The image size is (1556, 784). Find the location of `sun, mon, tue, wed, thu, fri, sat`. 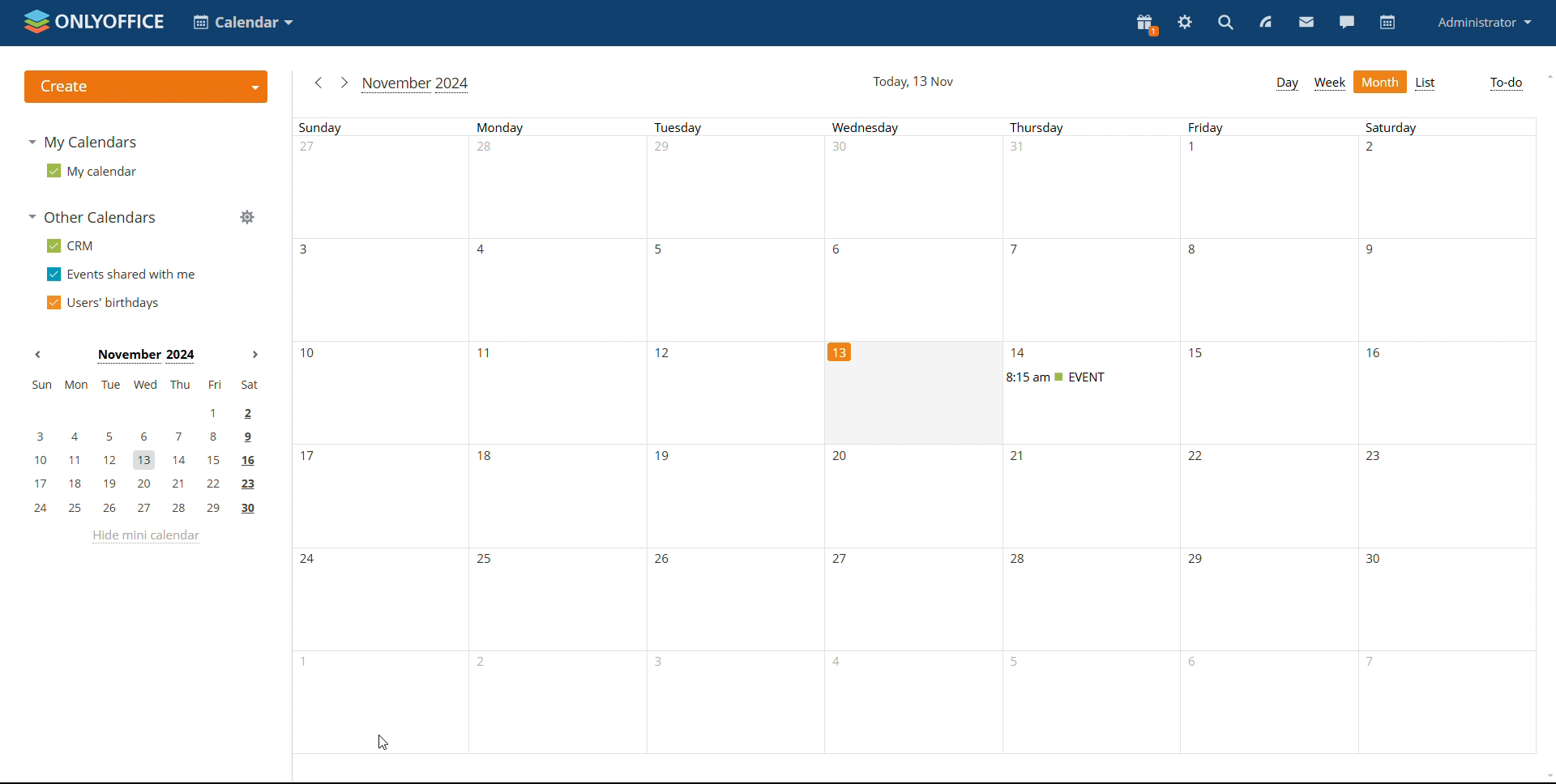

sun, mon, tue, wed, thu, fri, sat is located at coordinates (143, 385).